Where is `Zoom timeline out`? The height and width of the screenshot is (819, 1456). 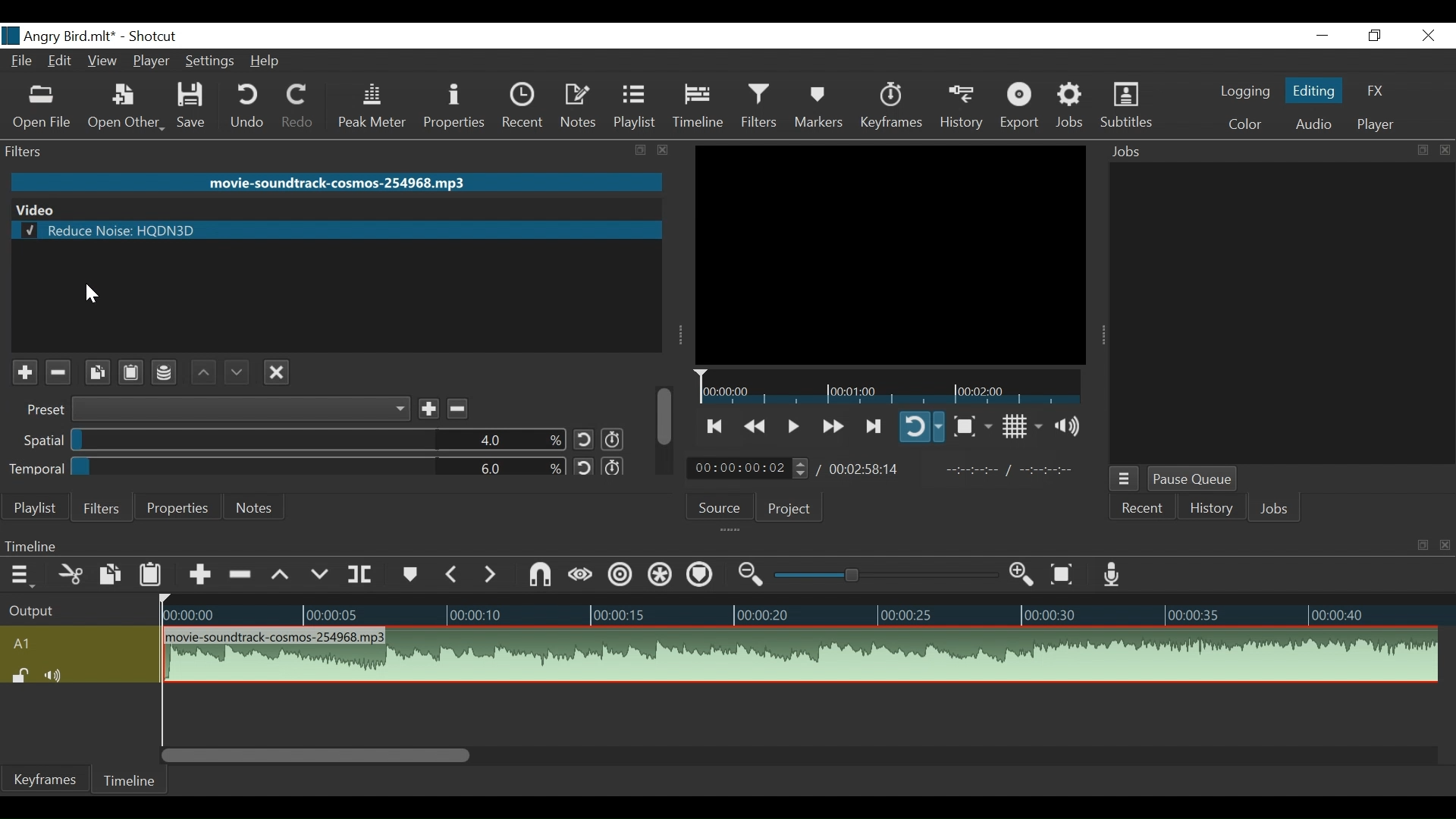 Zoom timeline out is located at coordinates (748, 576).